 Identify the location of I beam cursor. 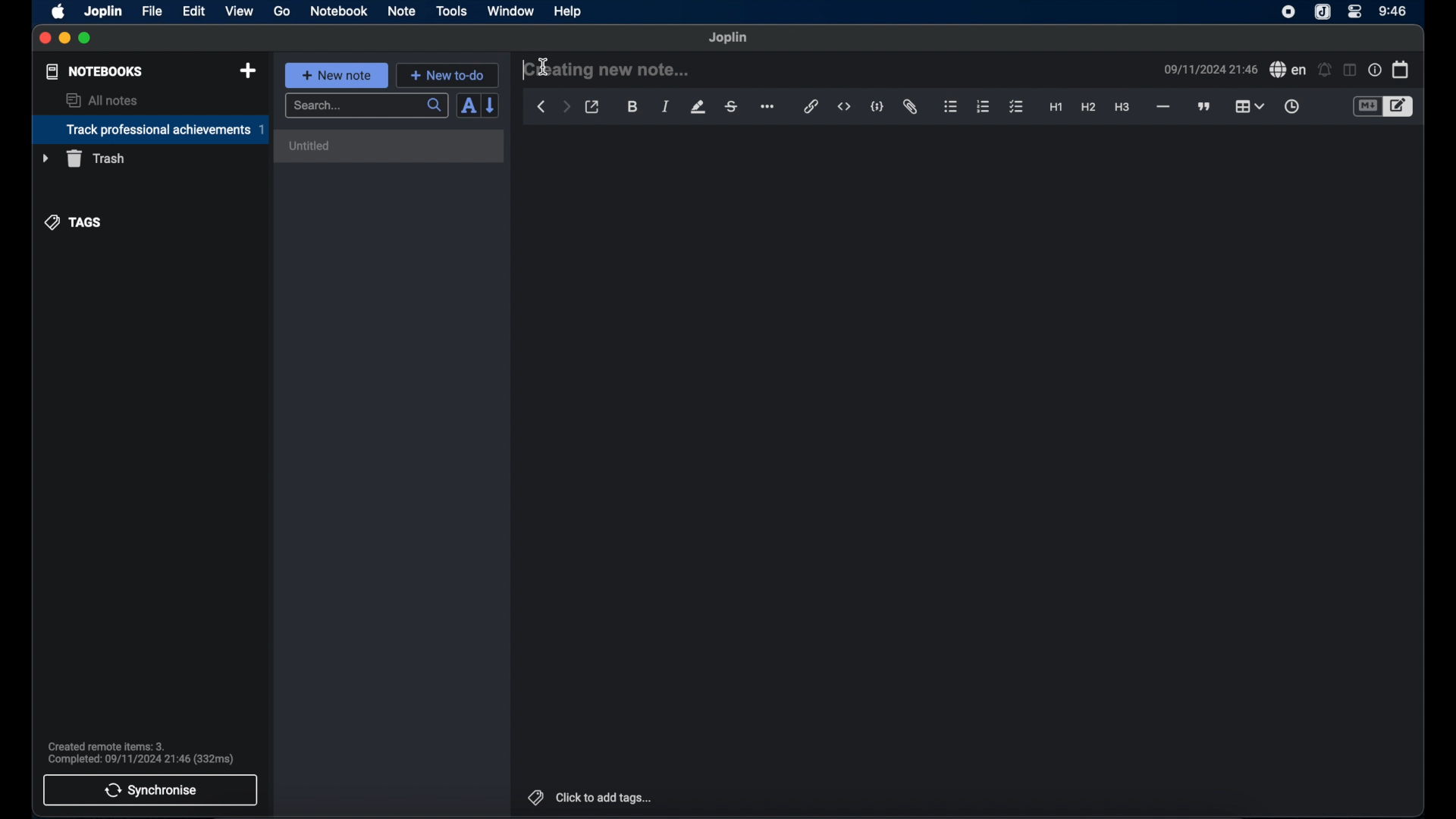
(544, 68).